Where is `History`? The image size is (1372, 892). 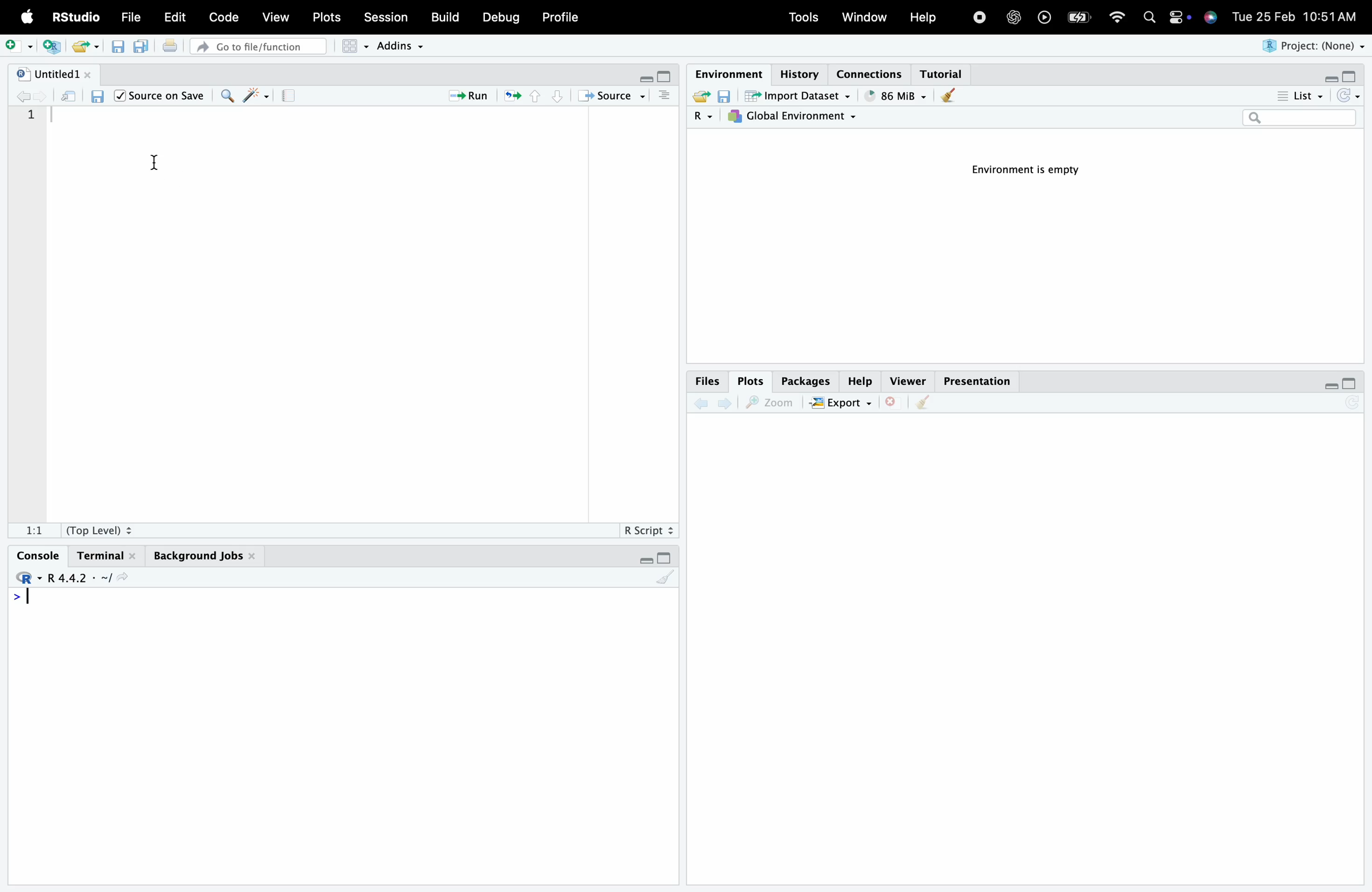 History is located at coordinates (796, 68).